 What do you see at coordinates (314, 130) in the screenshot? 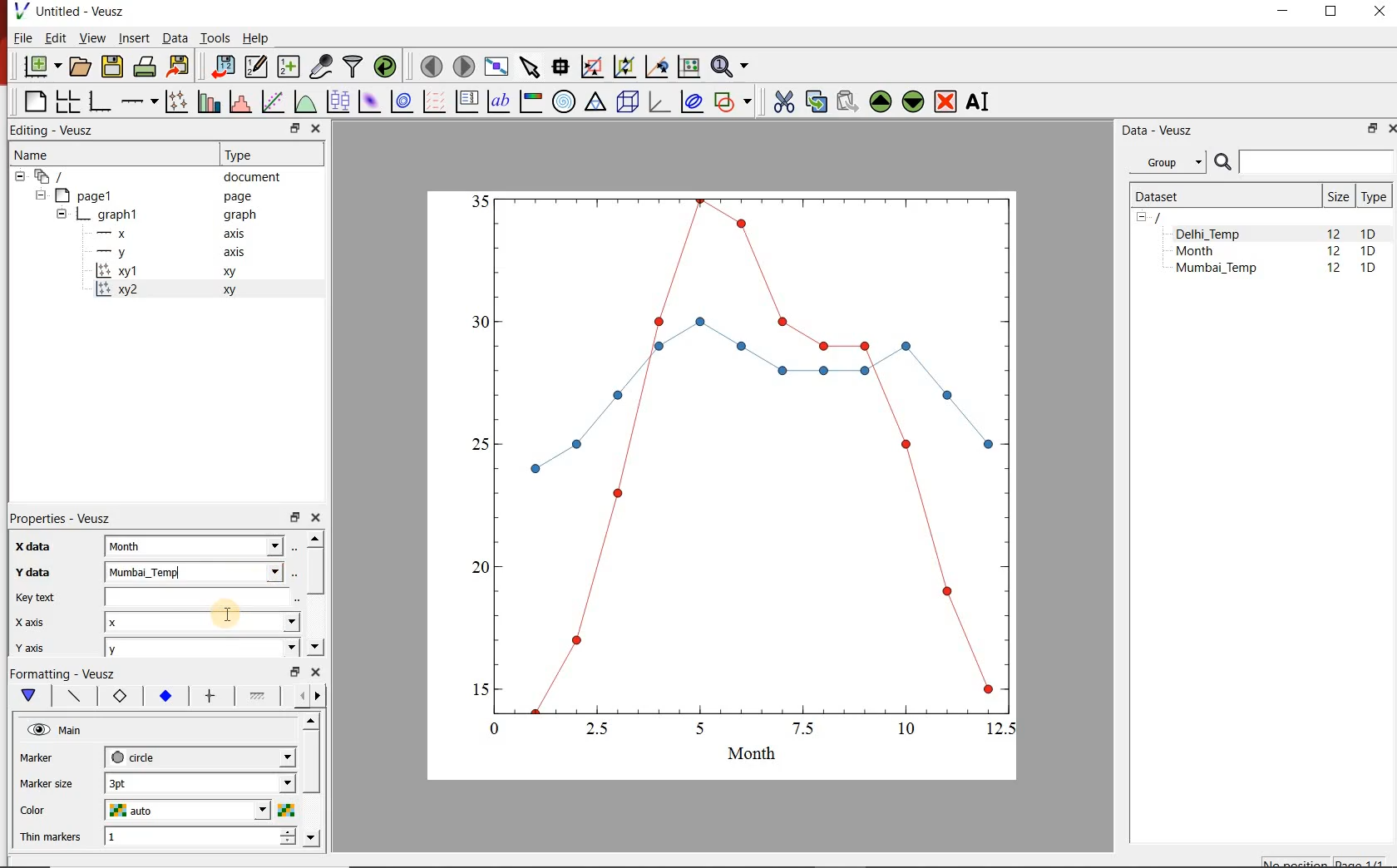
I see `close` at bounding box center [314, 130].